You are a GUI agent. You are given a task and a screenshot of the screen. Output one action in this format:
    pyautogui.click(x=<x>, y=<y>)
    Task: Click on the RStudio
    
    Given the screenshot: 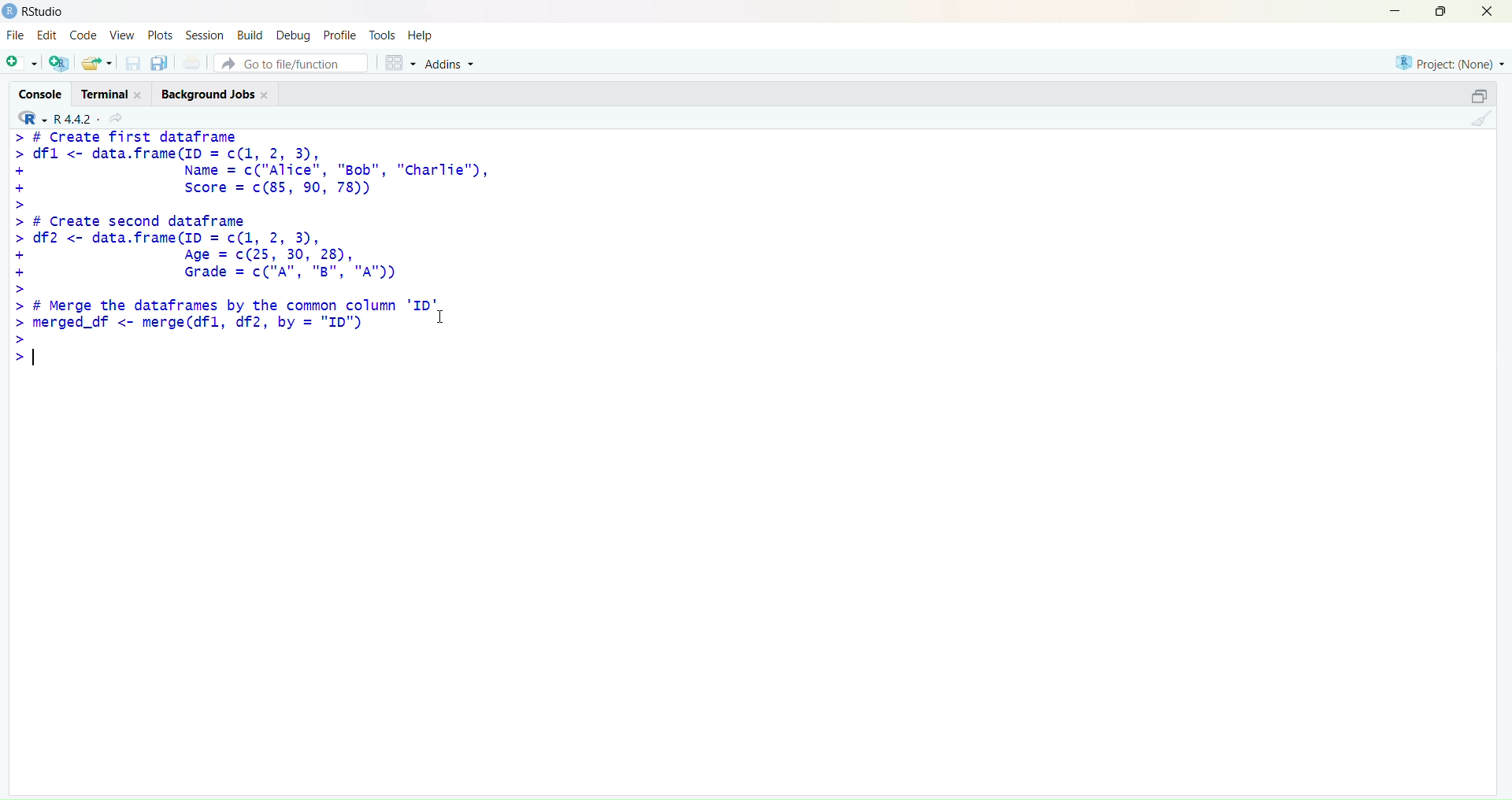 What is the action you would take?
    pyautogui.click(x=45, y=12)
    